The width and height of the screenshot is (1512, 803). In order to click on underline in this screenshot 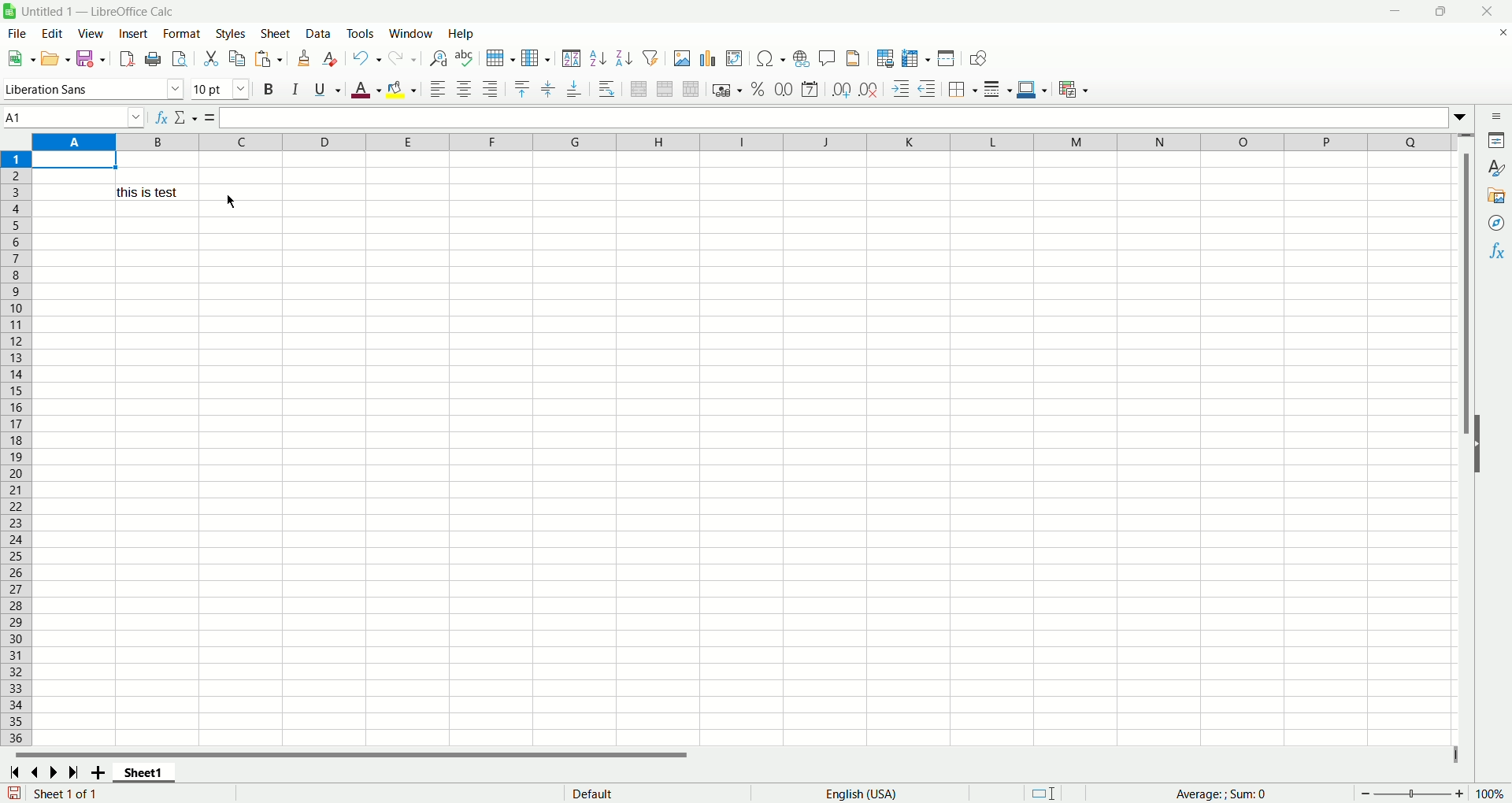, I will do `click(326, 88)`.